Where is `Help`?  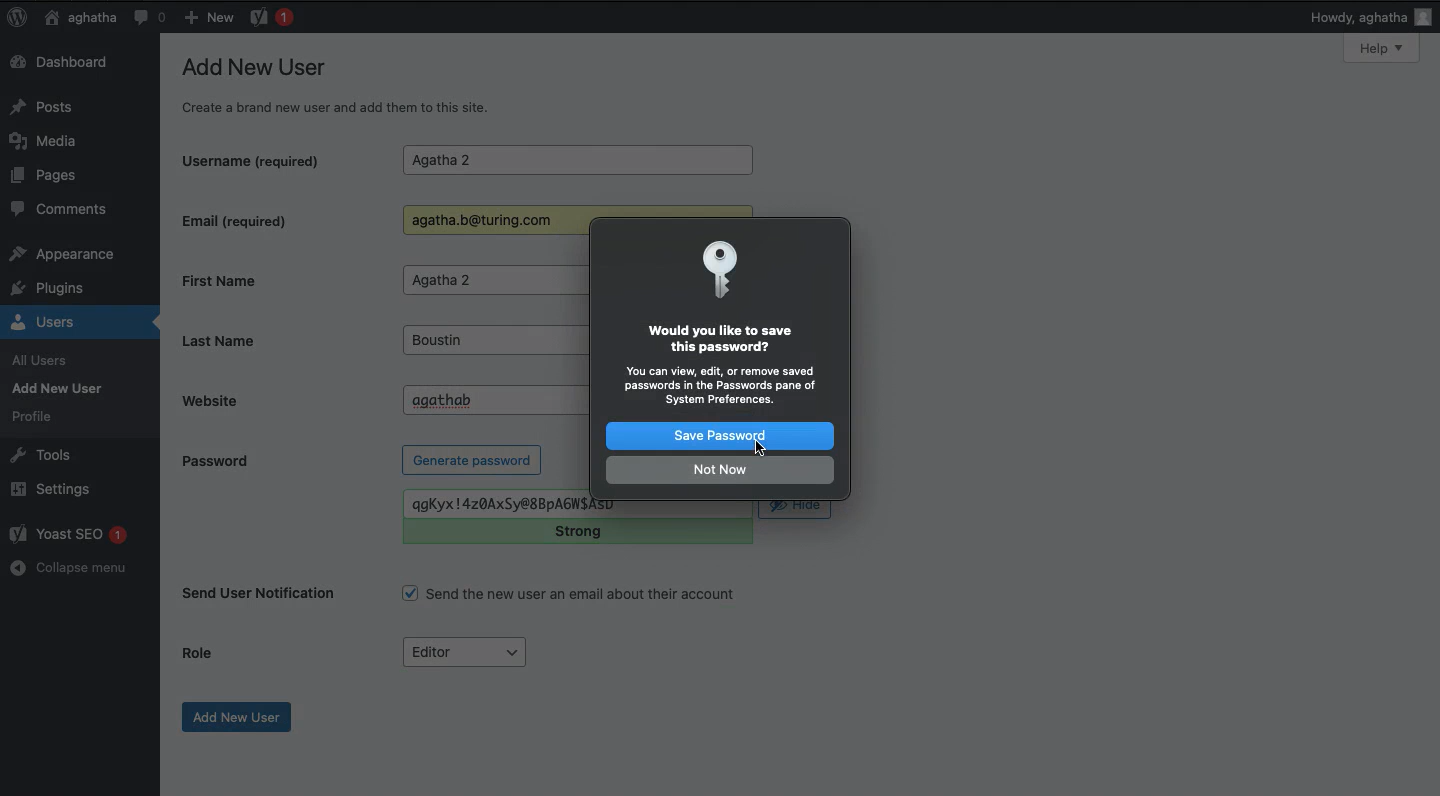 Help is located at coordinates (1381, 48).